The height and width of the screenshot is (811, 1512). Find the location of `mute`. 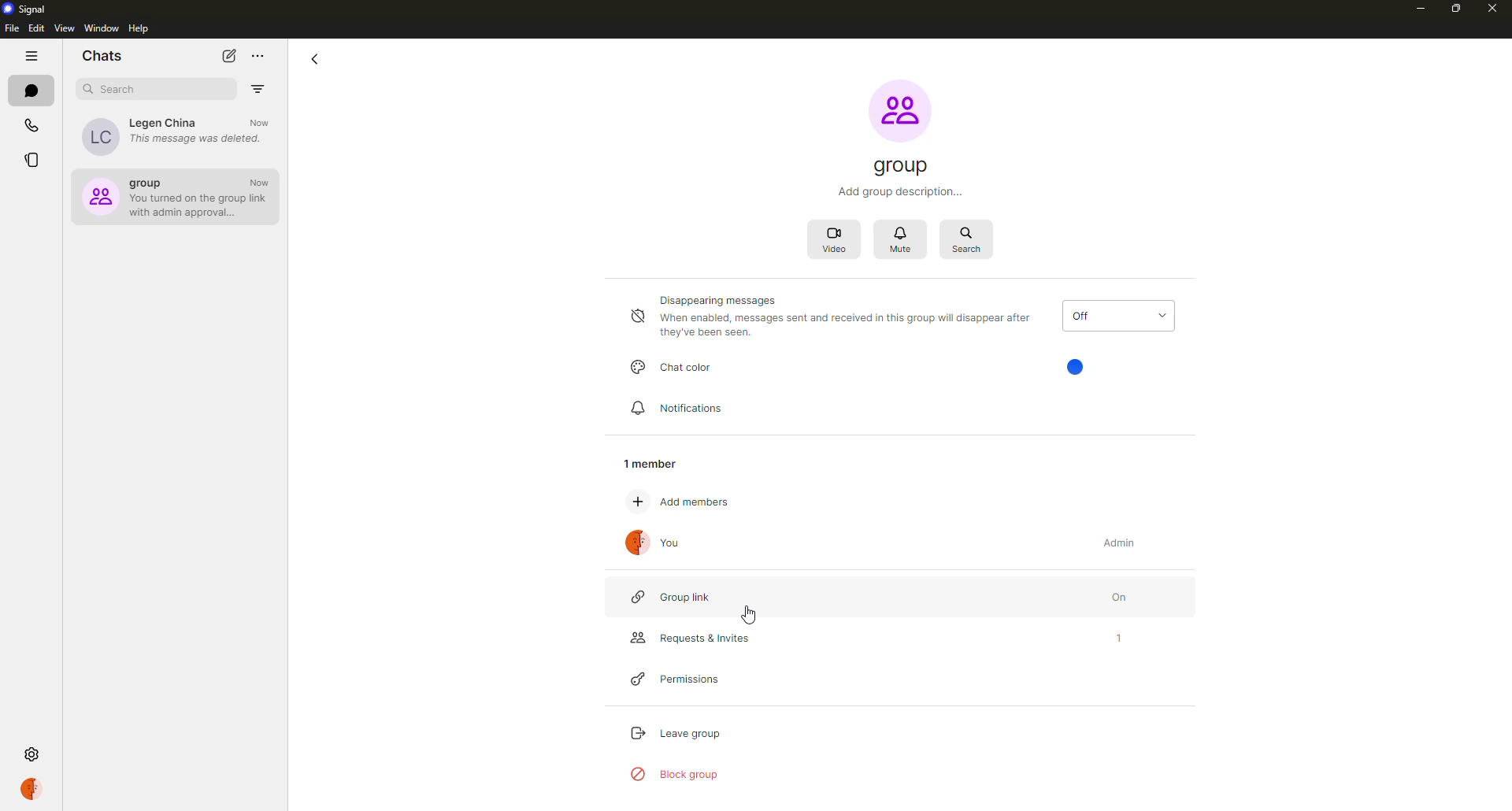

mute is located at coordinates (903, 242).